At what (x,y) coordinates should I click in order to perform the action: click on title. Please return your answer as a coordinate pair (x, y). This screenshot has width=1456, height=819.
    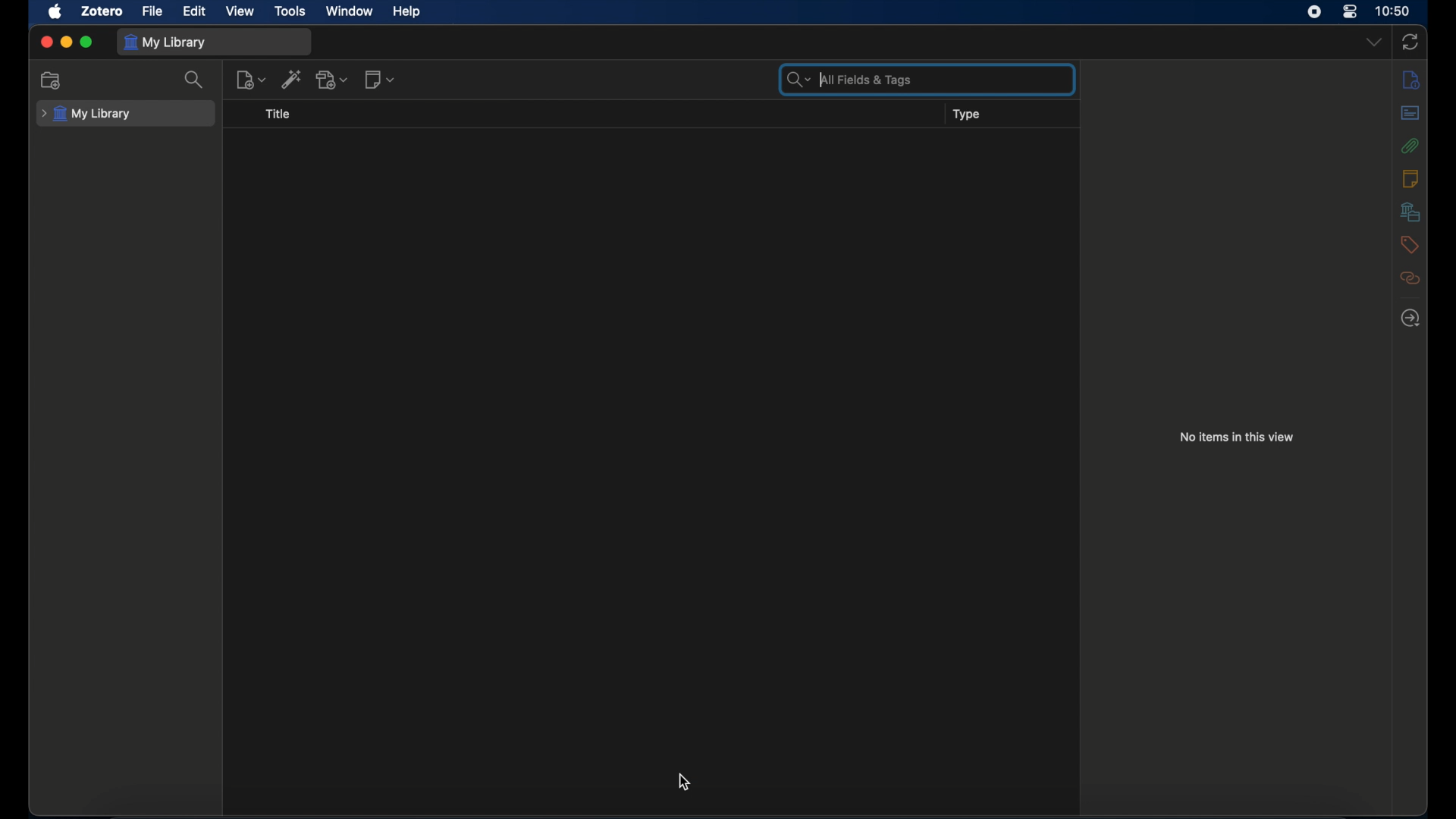
    Looking at the image, I should click on (278, 114).